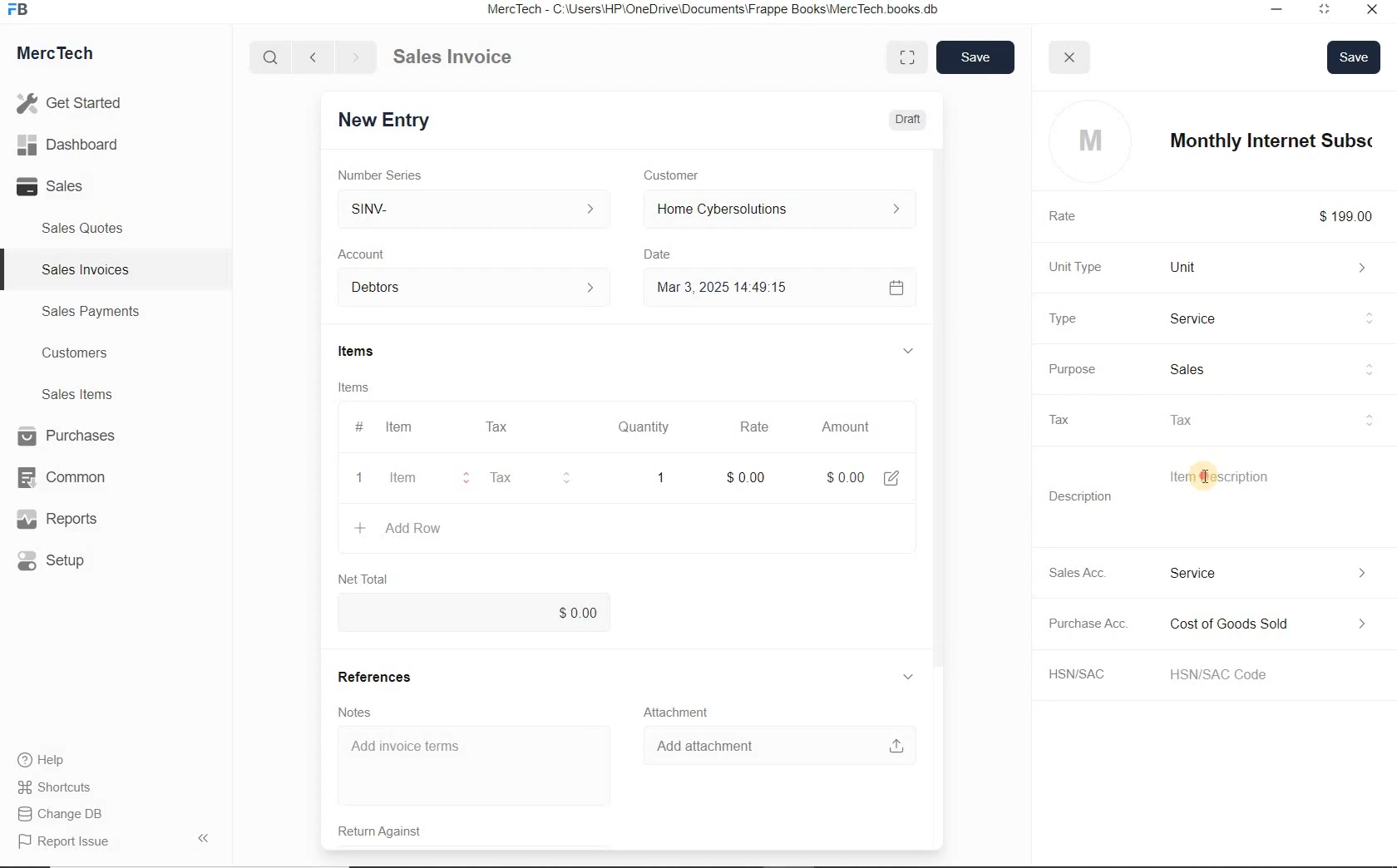 The height and width of the screenshot is (868, 1397). I want to click on Product, so click(1261, 318).